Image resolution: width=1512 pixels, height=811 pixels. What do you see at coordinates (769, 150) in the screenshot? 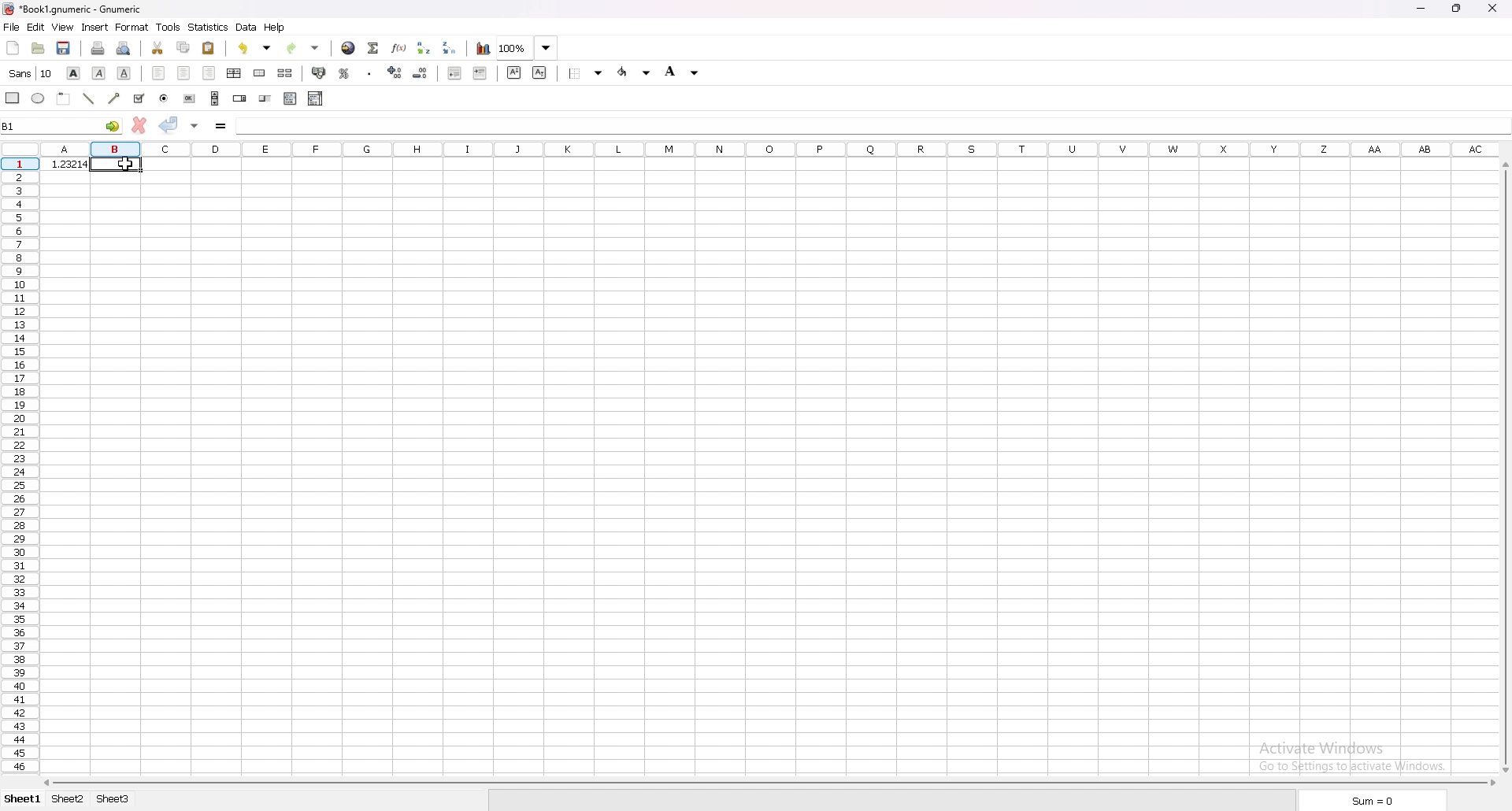
I see `columns` at bounding box center [769, 150].